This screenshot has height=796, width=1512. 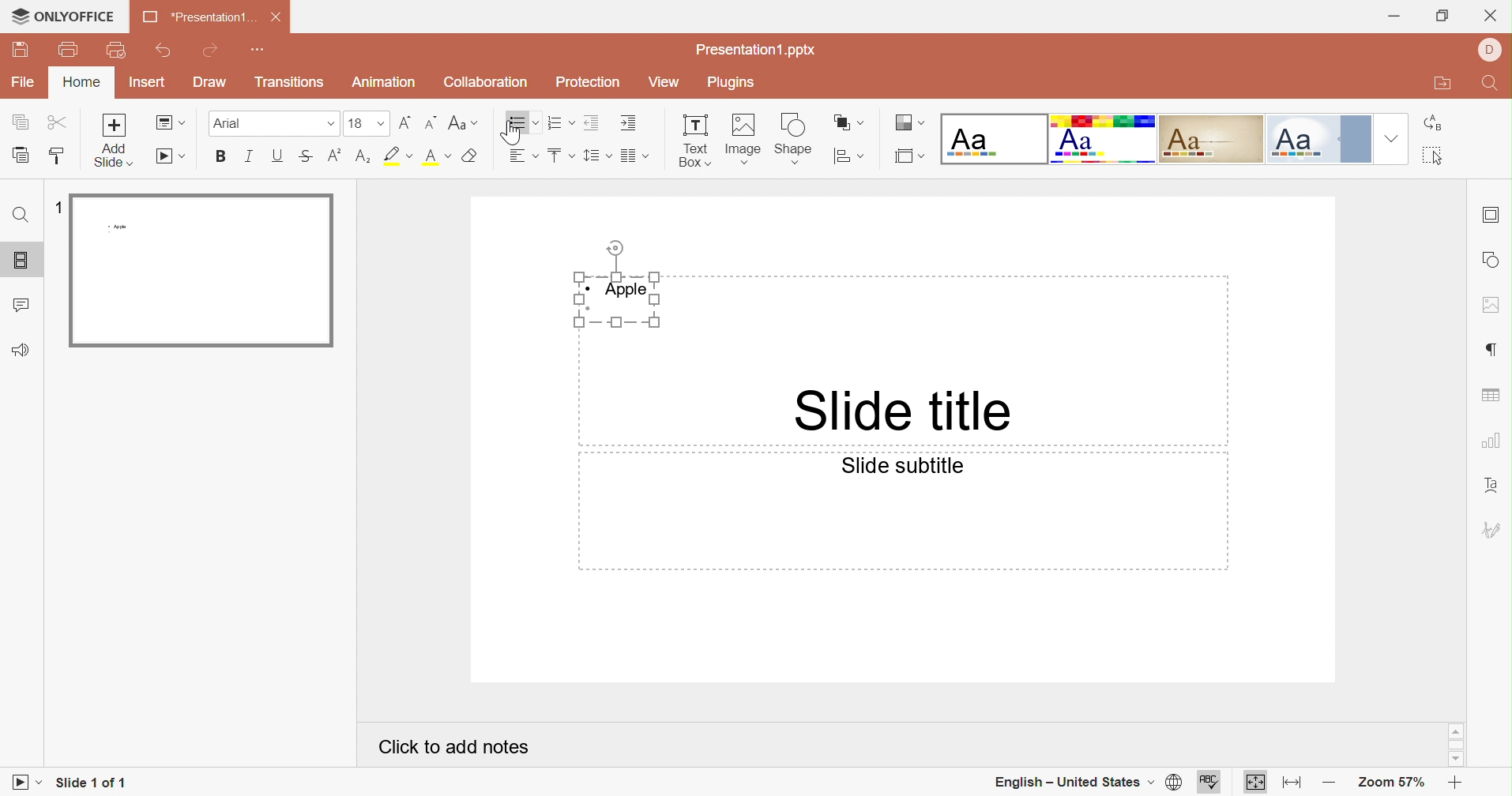 What do you see at coordinates (1296, 783) in the screenshot?
I see `Fit to width` at bounding box center [1296, 783].